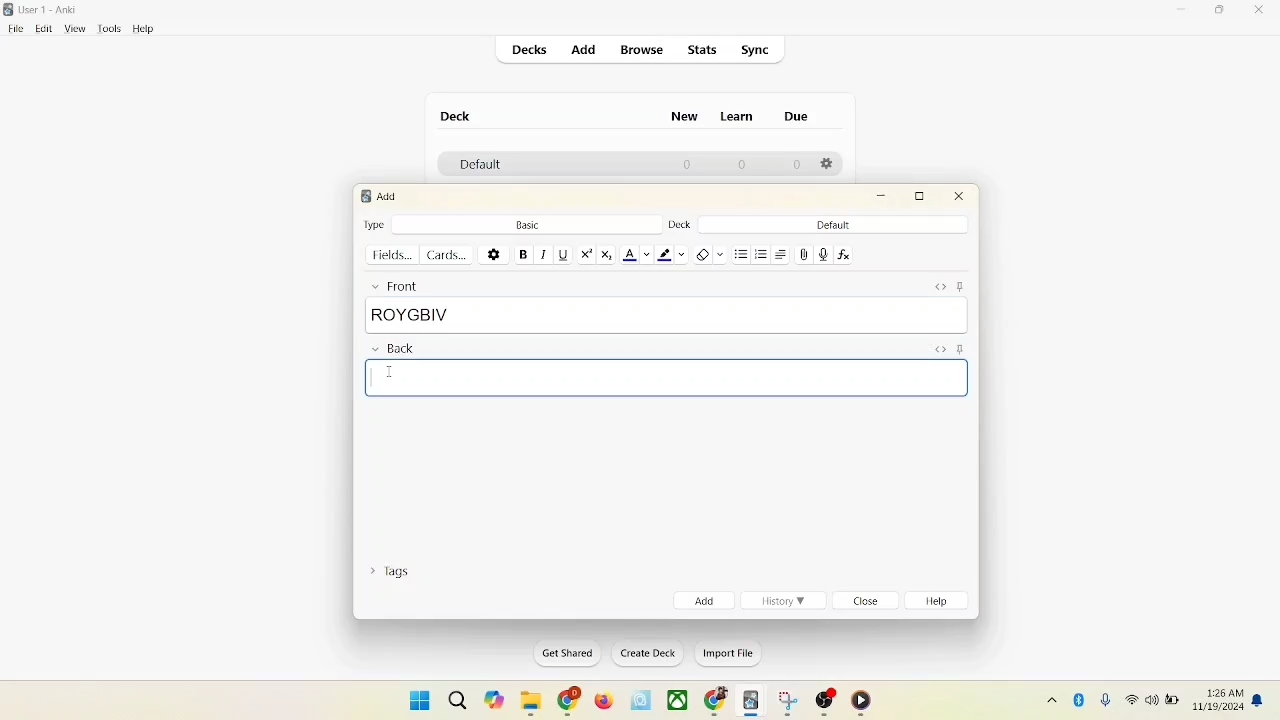 The height and width of the screenshot is (720, 1280). What do you see at coordinates (1080, 697) in the screenshot?
I see `Bluetooth` at bounding box center [1080, 697].